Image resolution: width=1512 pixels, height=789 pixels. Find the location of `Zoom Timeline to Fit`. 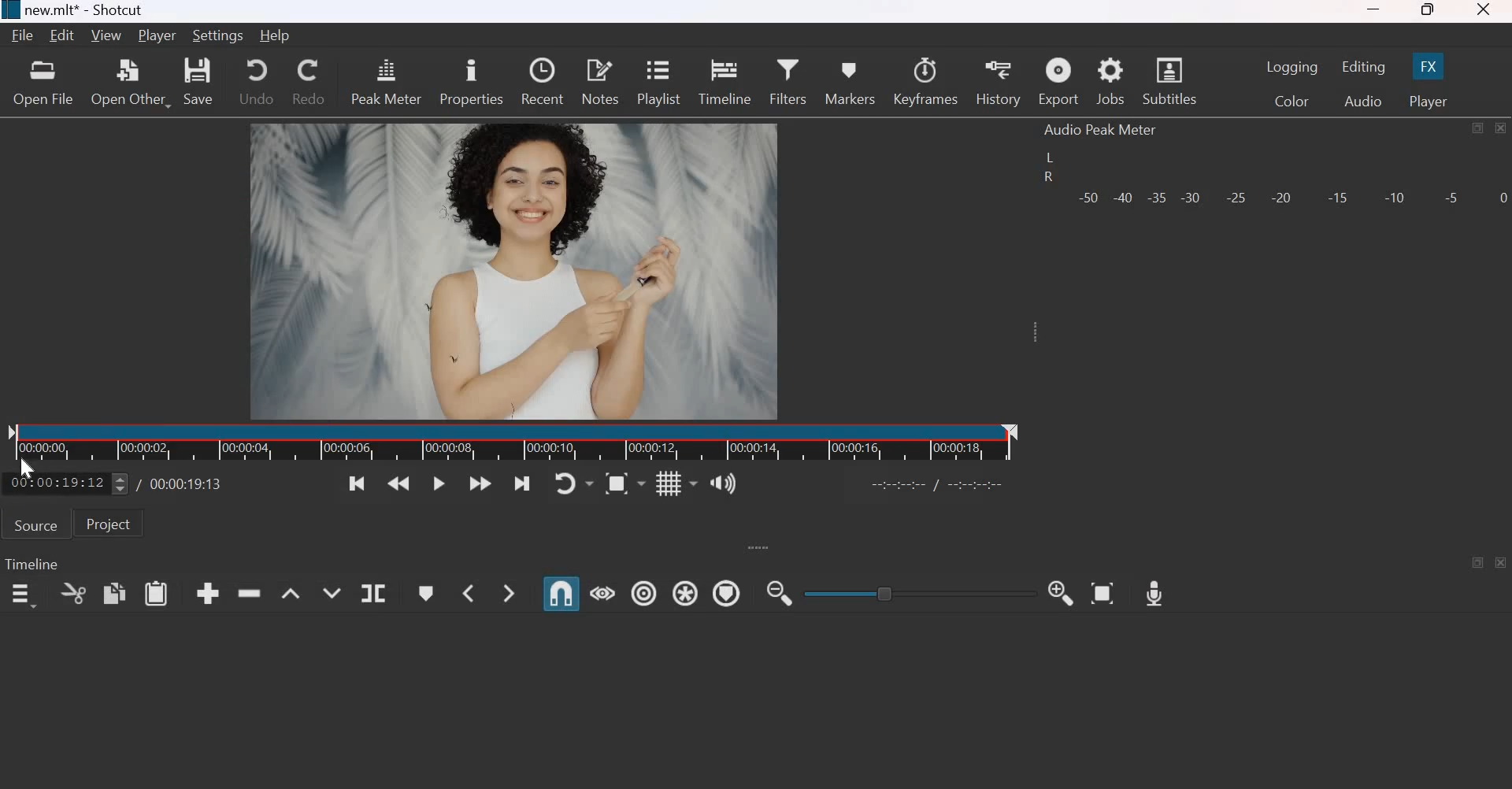

Zoom Timeline to Fit is located at coordinates (1103, 589).